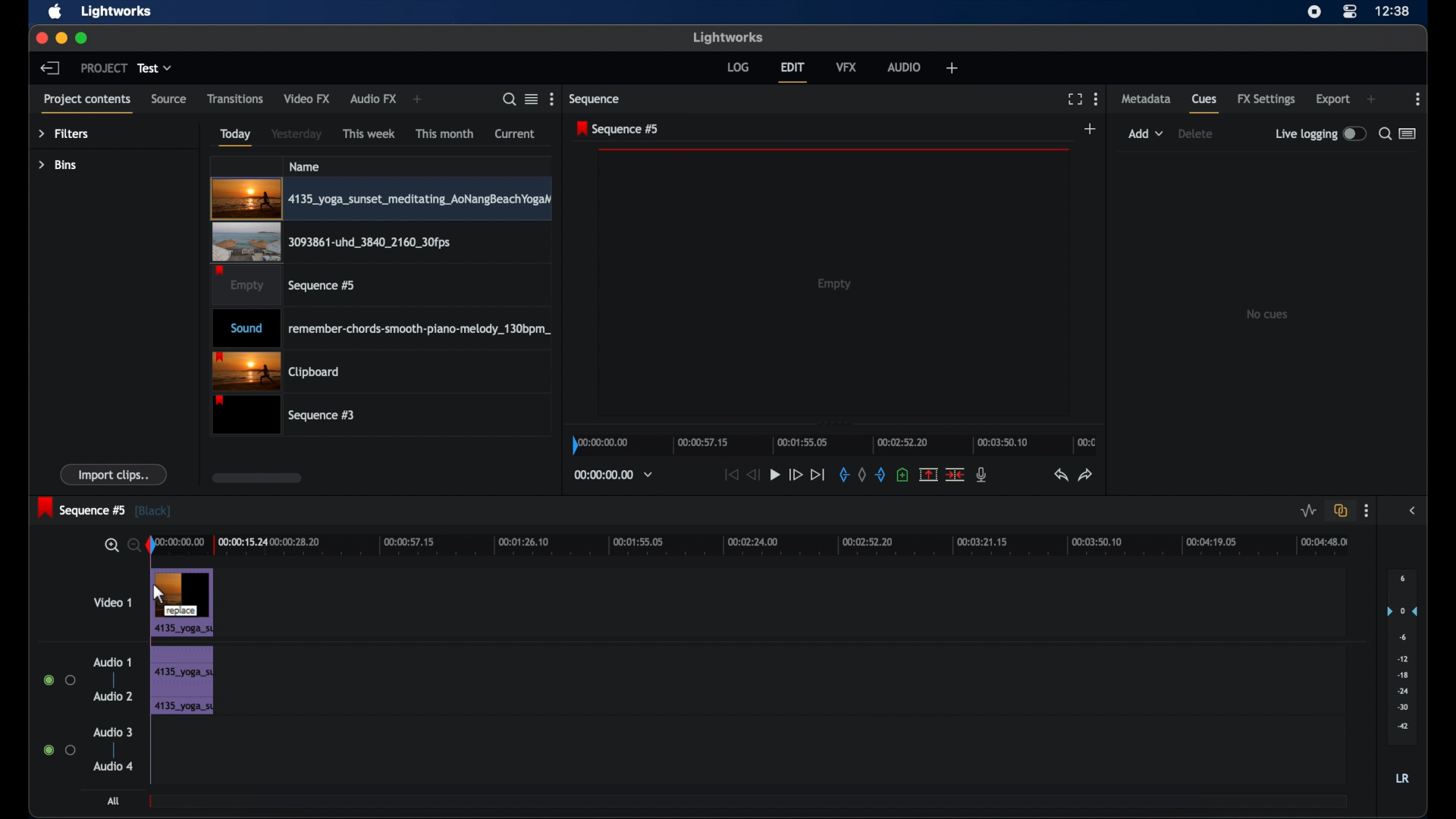  Describe the element at coordinates (1384, 133) in the screenshot. I see `search for cues` at that location.